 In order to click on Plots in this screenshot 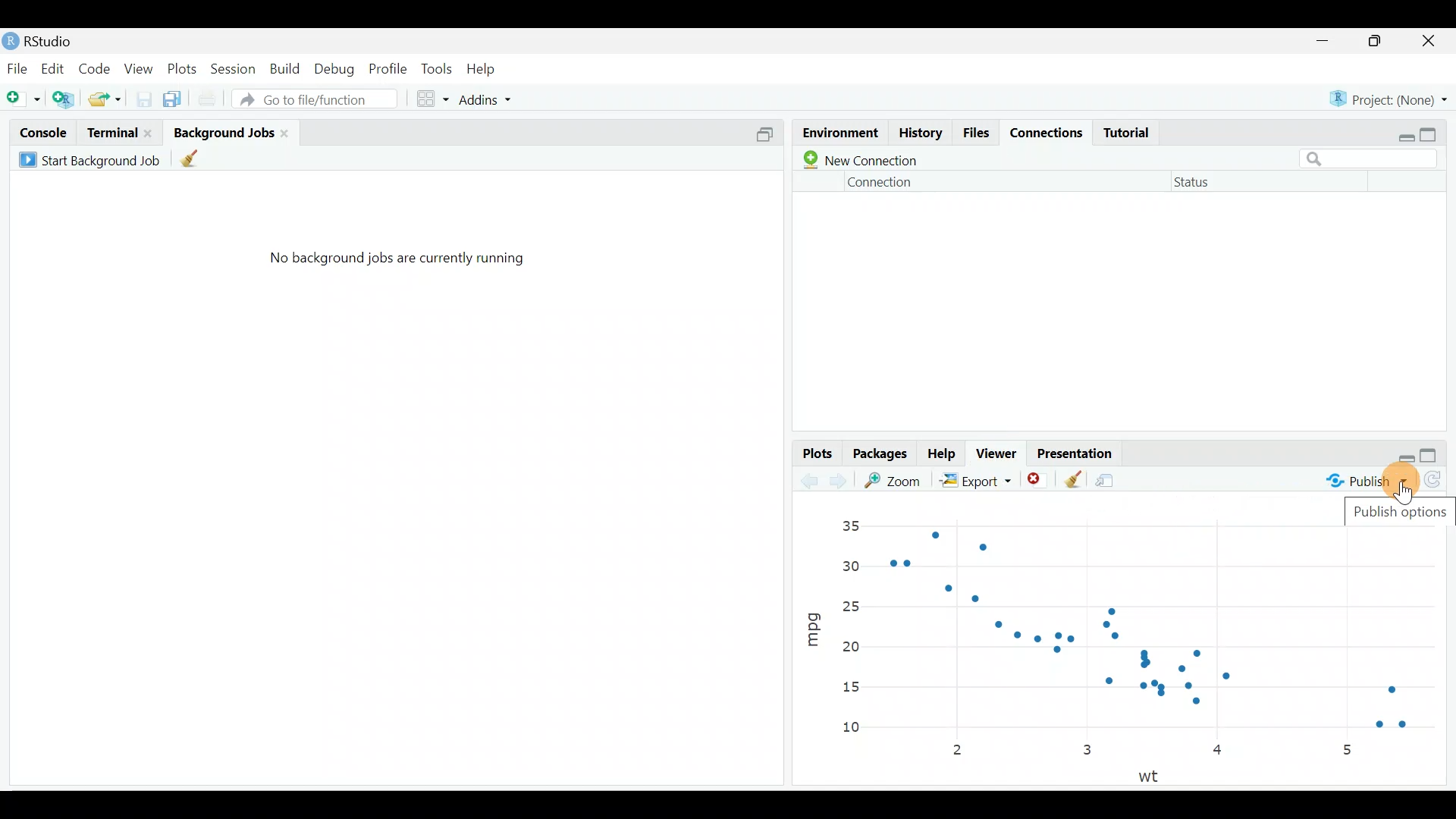, I will do `click(181, 67)`.